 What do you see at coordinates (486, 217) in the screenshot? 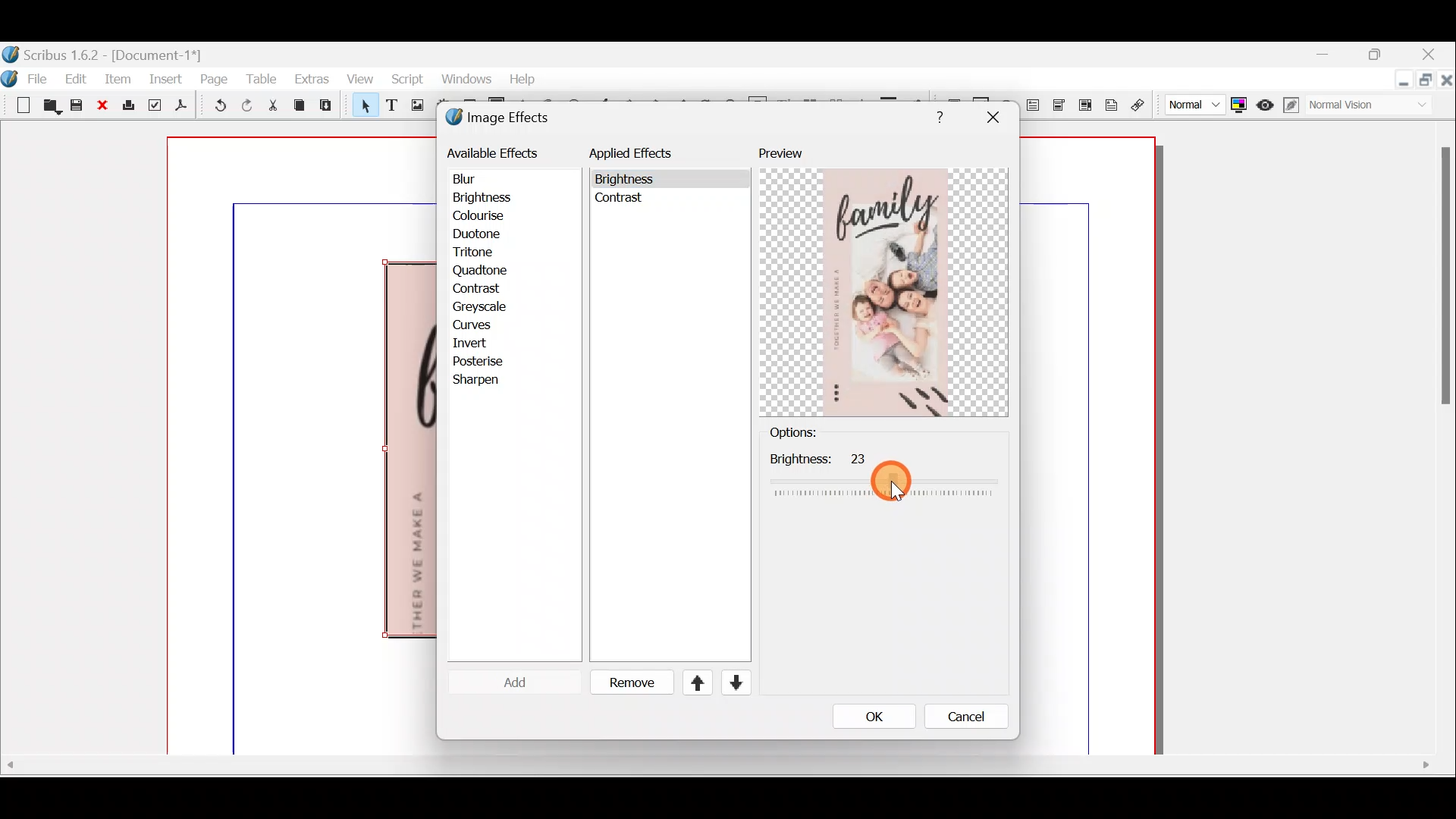
I see `Colourise` at bounding box center [486, 217].